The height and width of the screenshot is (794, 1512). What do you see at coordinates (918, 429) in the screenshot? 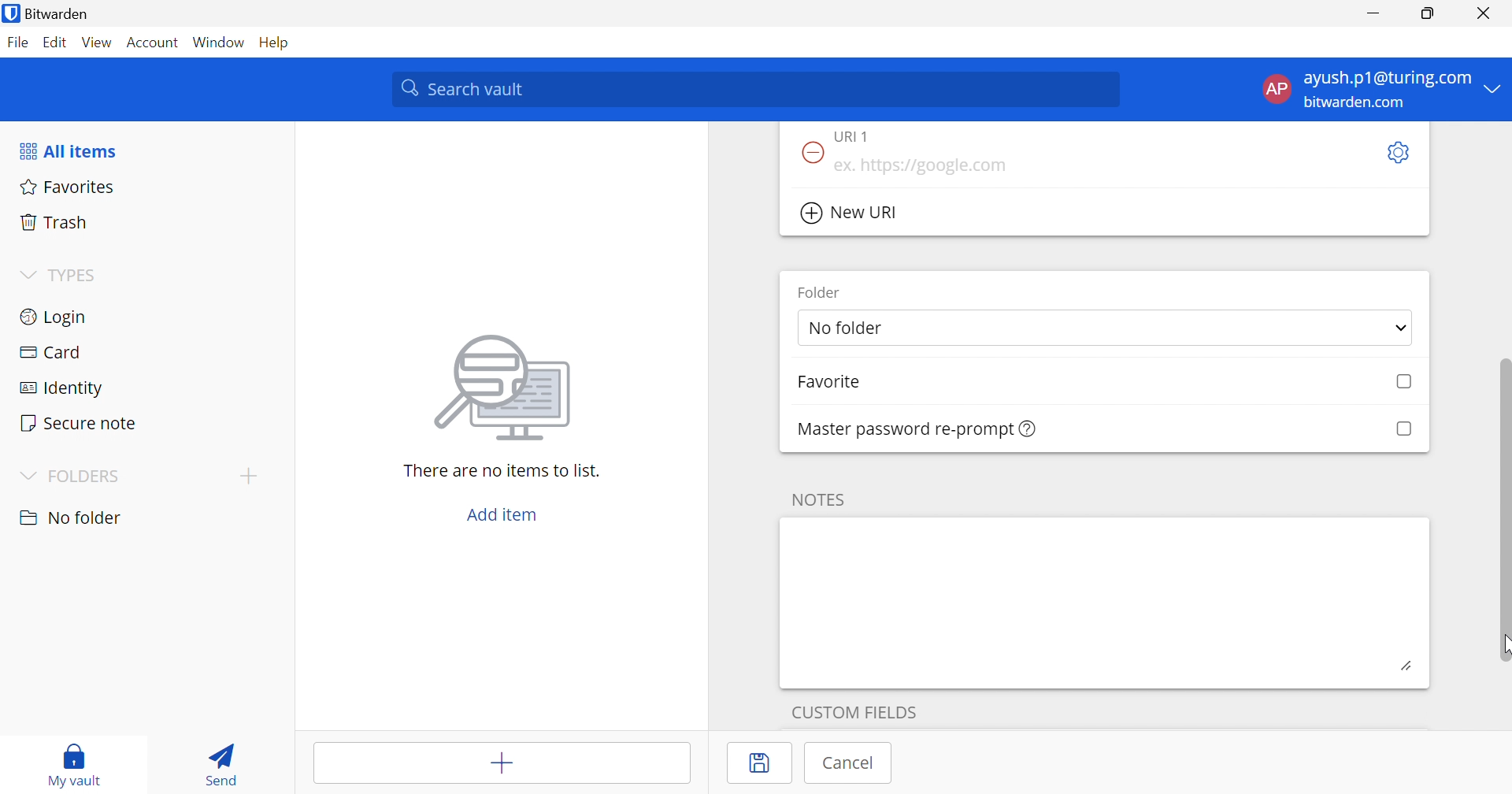
I see `Master password re-prompt` at bounding box center [918, 429].